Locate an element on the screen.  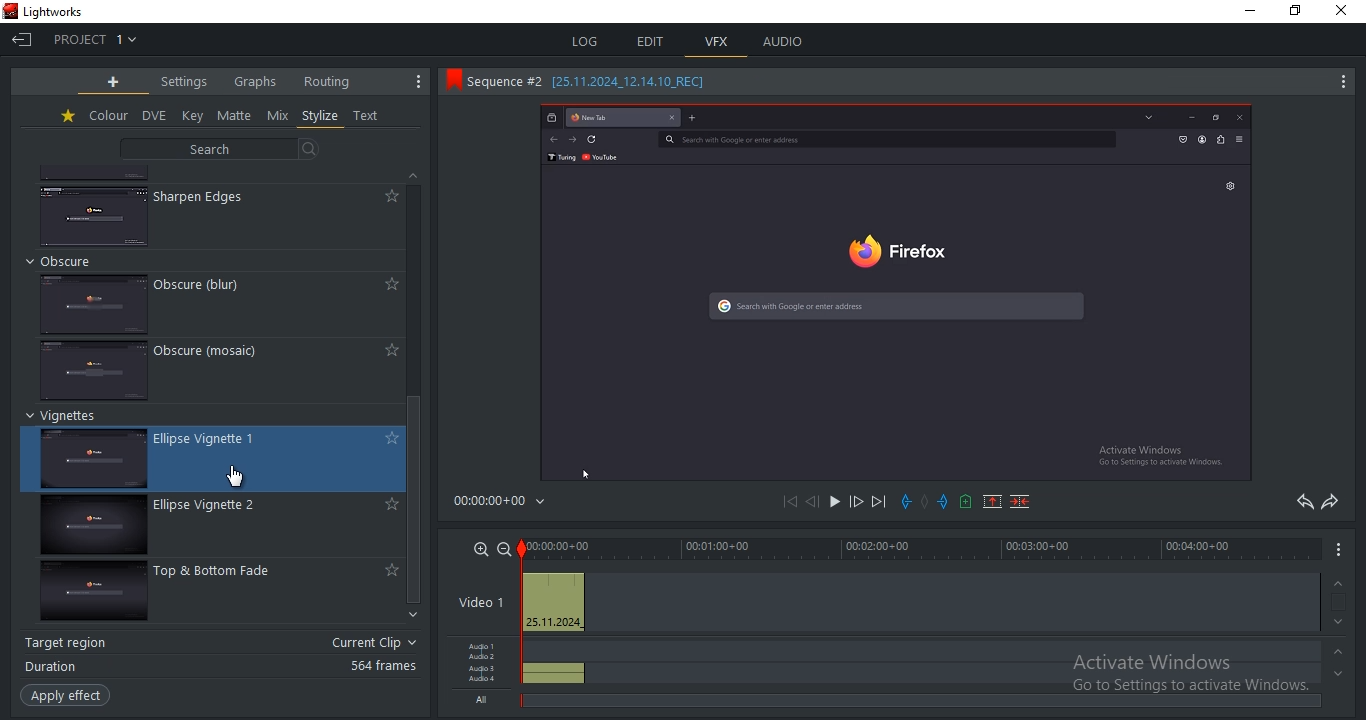
Add to favorites is located at coordinates (388, 285).